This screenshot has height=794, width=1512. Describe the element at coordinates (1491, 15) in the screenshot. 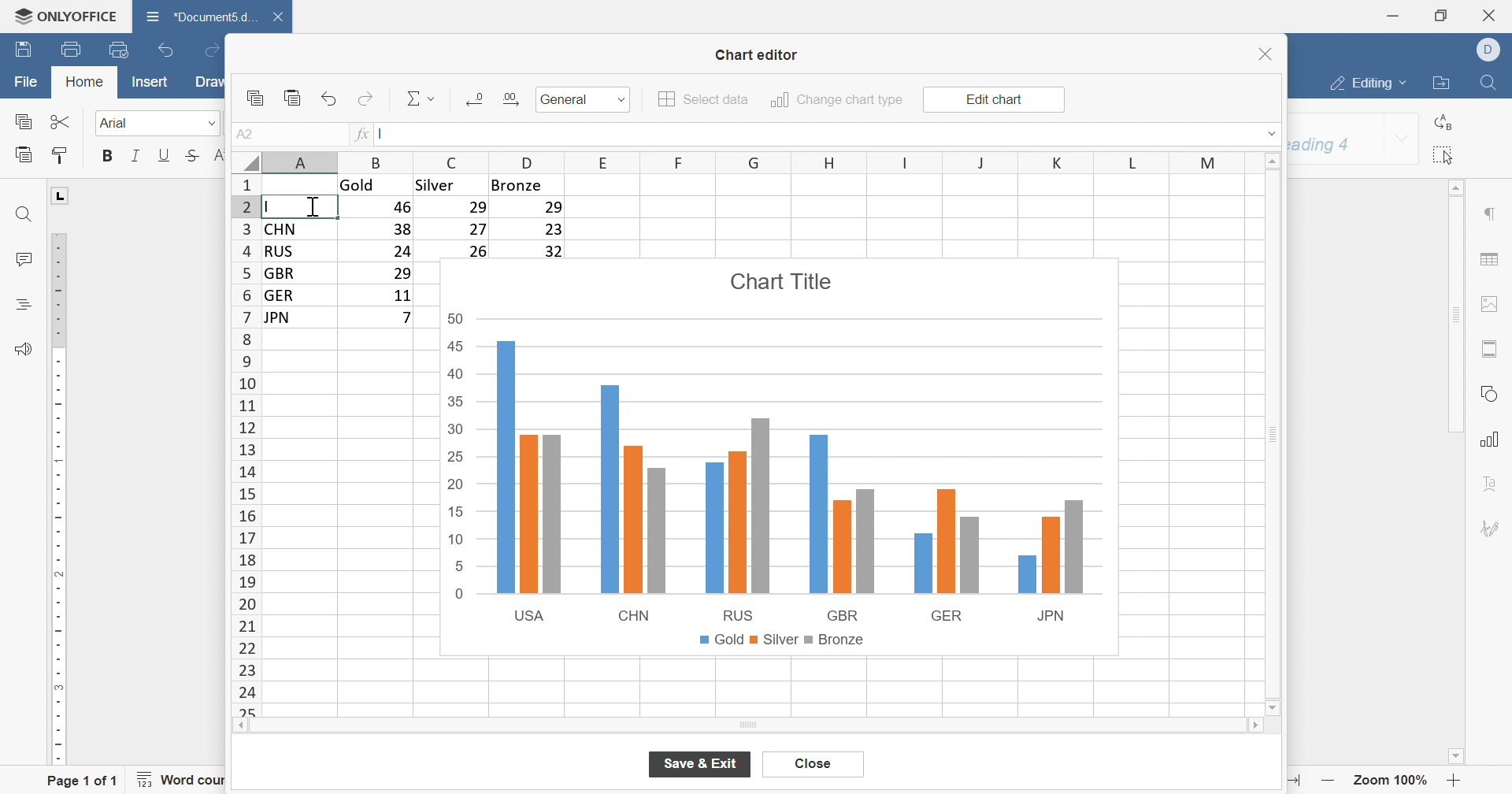

I see `close` at that location.